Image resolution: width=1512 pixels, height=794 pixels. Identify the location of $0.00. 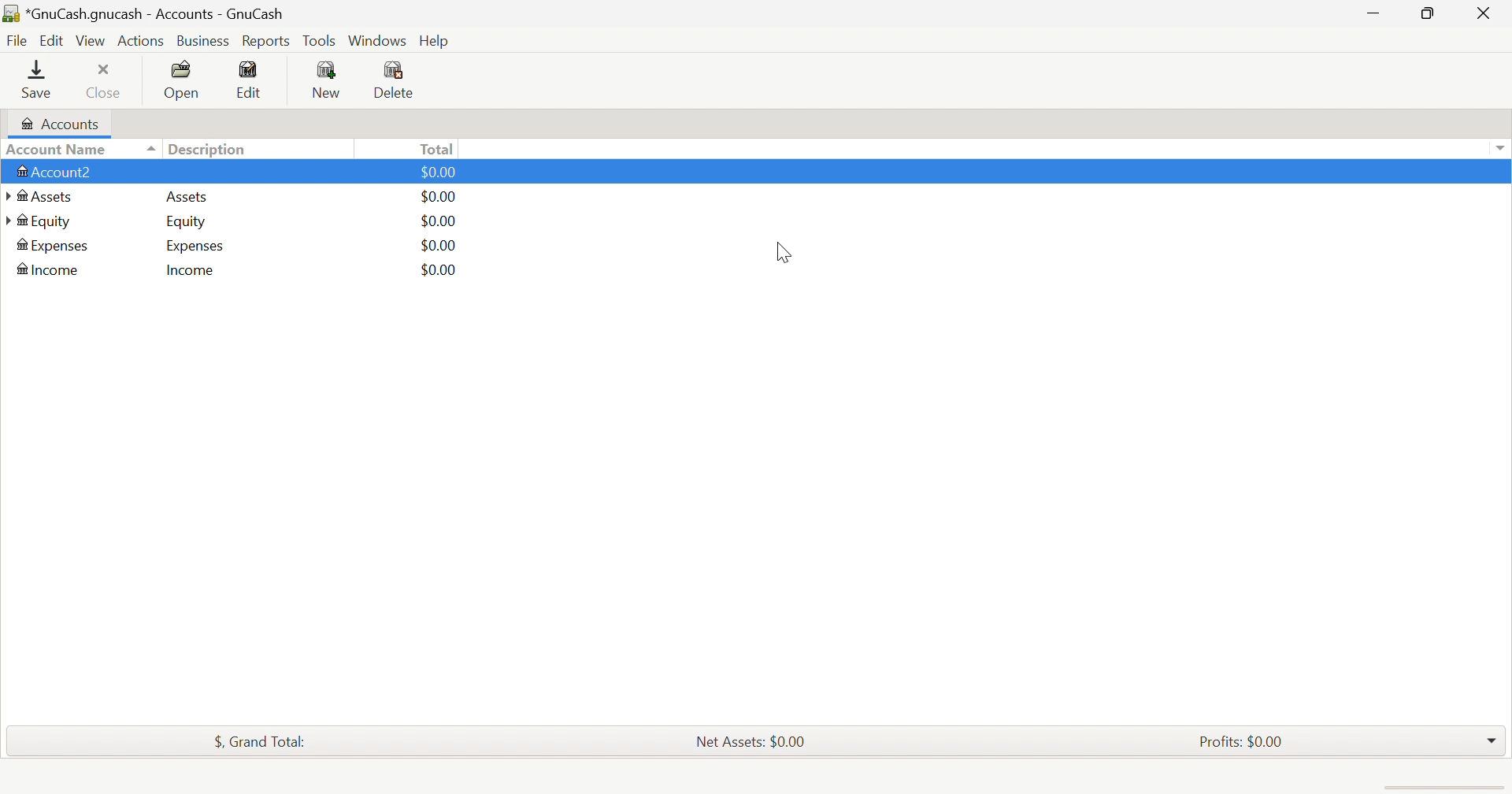
(438, 220).